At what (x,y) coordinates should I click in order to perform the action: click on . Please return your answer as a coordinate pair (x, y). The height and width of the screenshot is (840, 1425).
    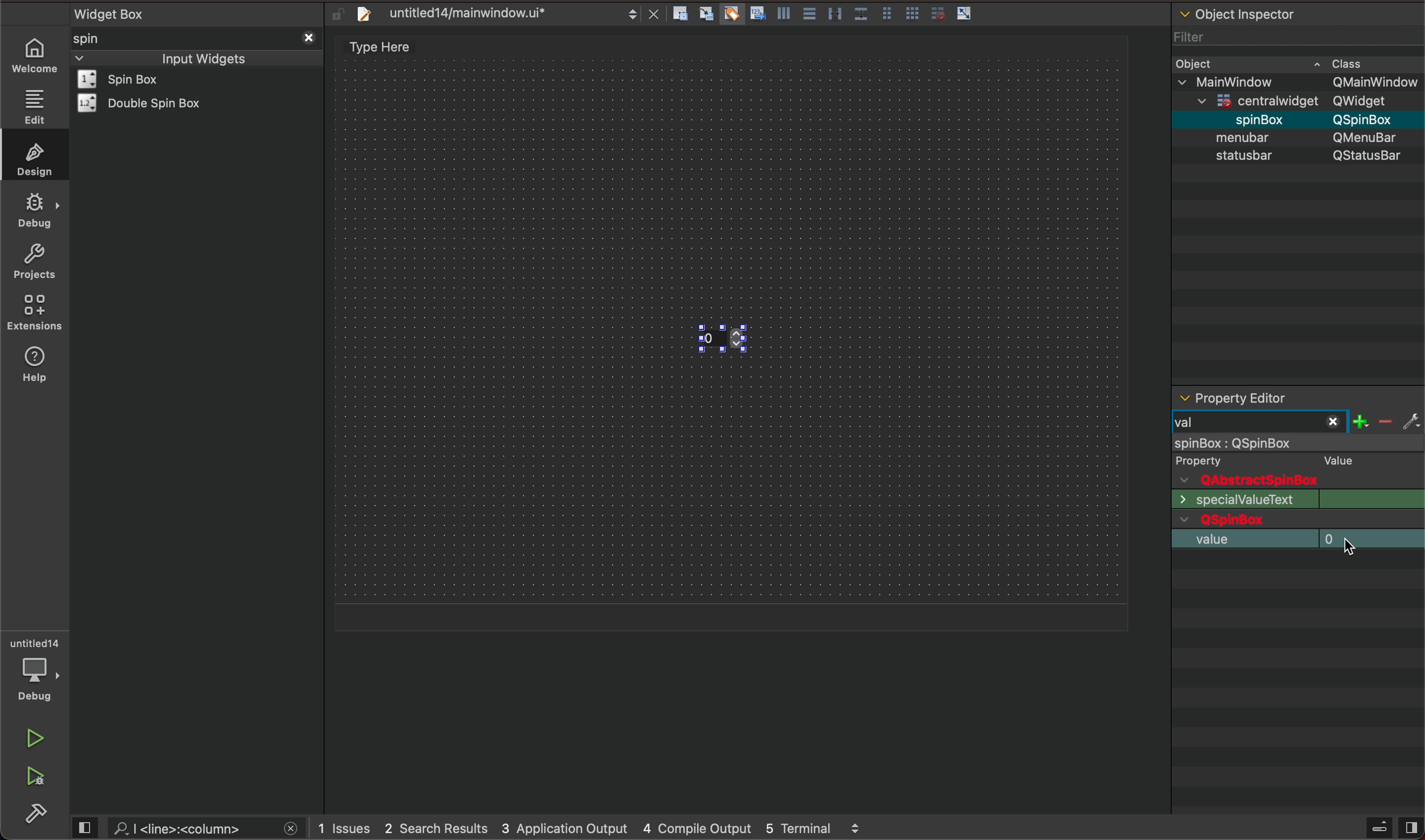
    Looking at the image, I should click on (1246, 81).